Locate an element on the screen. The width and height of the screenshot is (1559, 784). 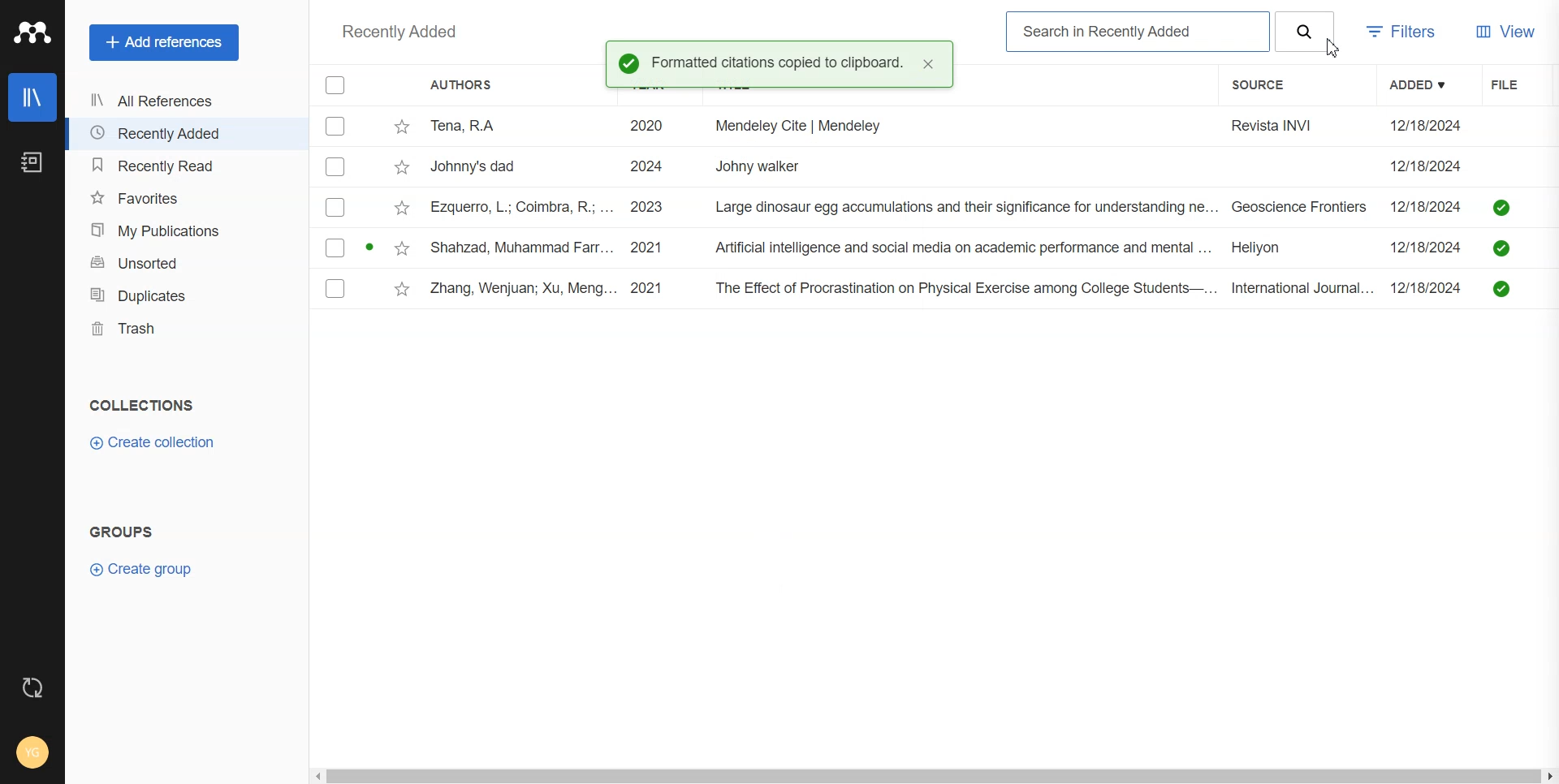
File is located at coordinates (1516, 84).